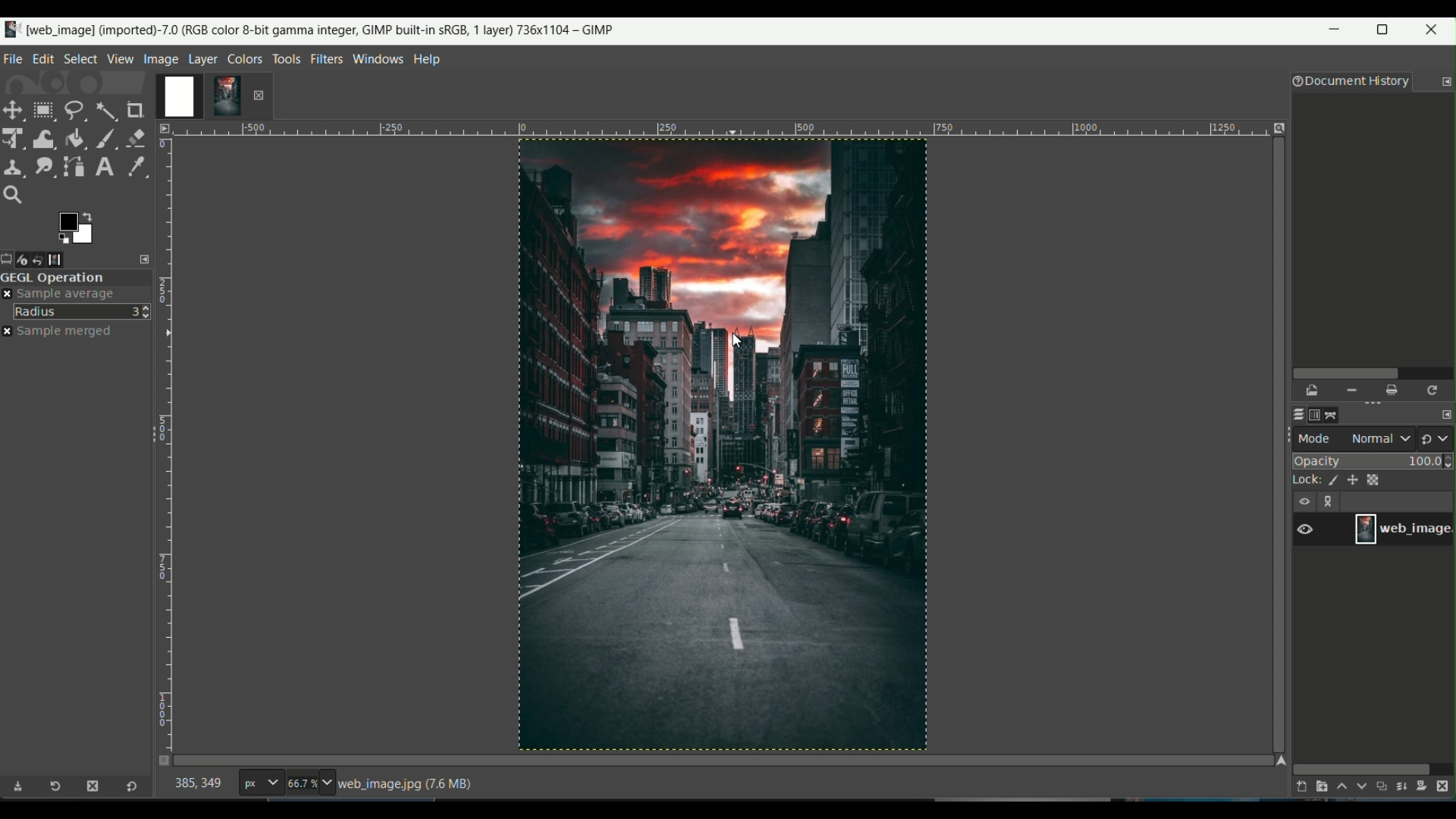  What do you see at coordinates (1340, 789) in the screenshot?
I see `raise layer` at bounding box center [1340, 789].